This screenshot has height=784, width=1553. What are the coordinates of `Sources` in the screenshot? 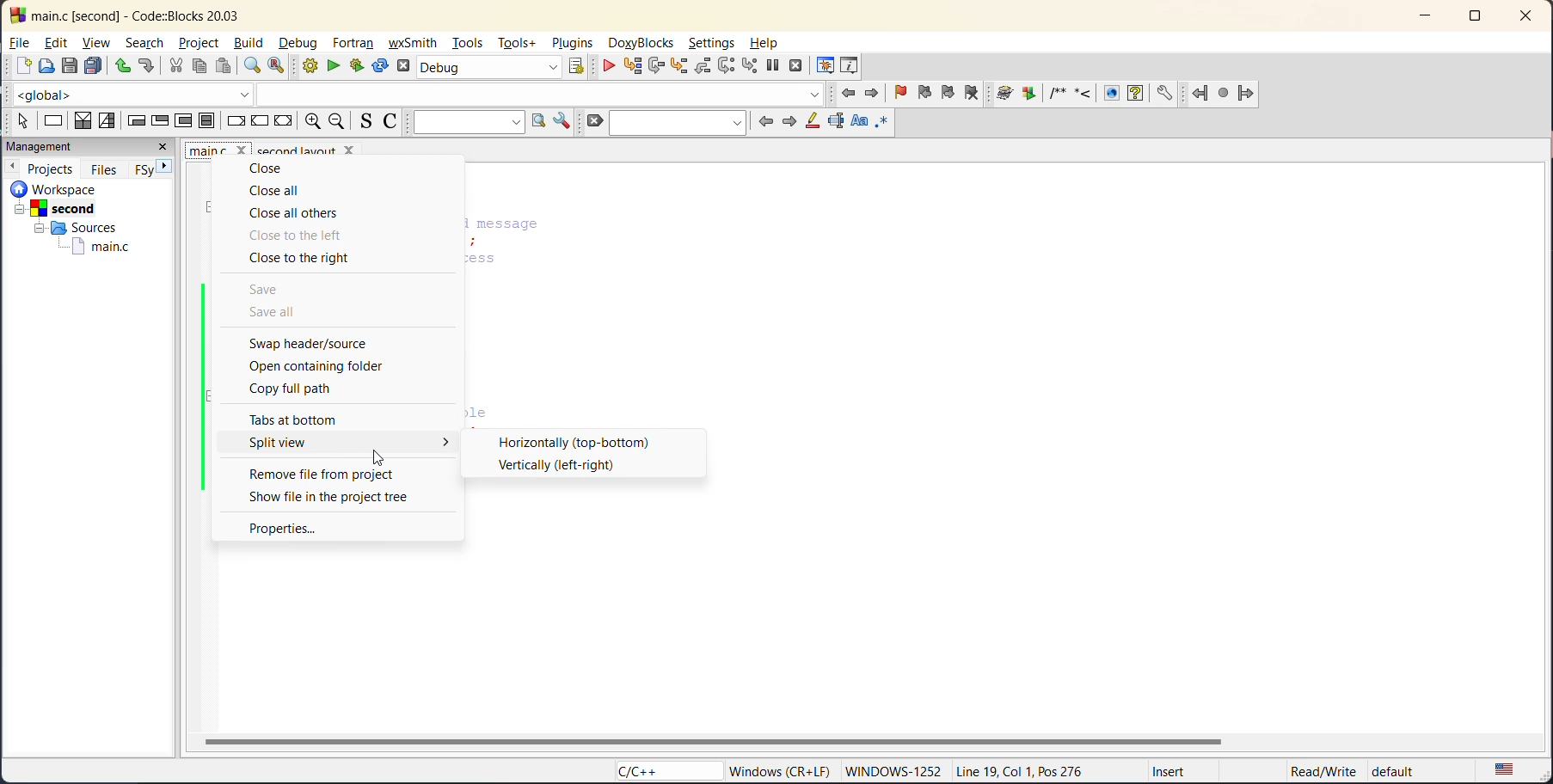 It's located at (71, 227).